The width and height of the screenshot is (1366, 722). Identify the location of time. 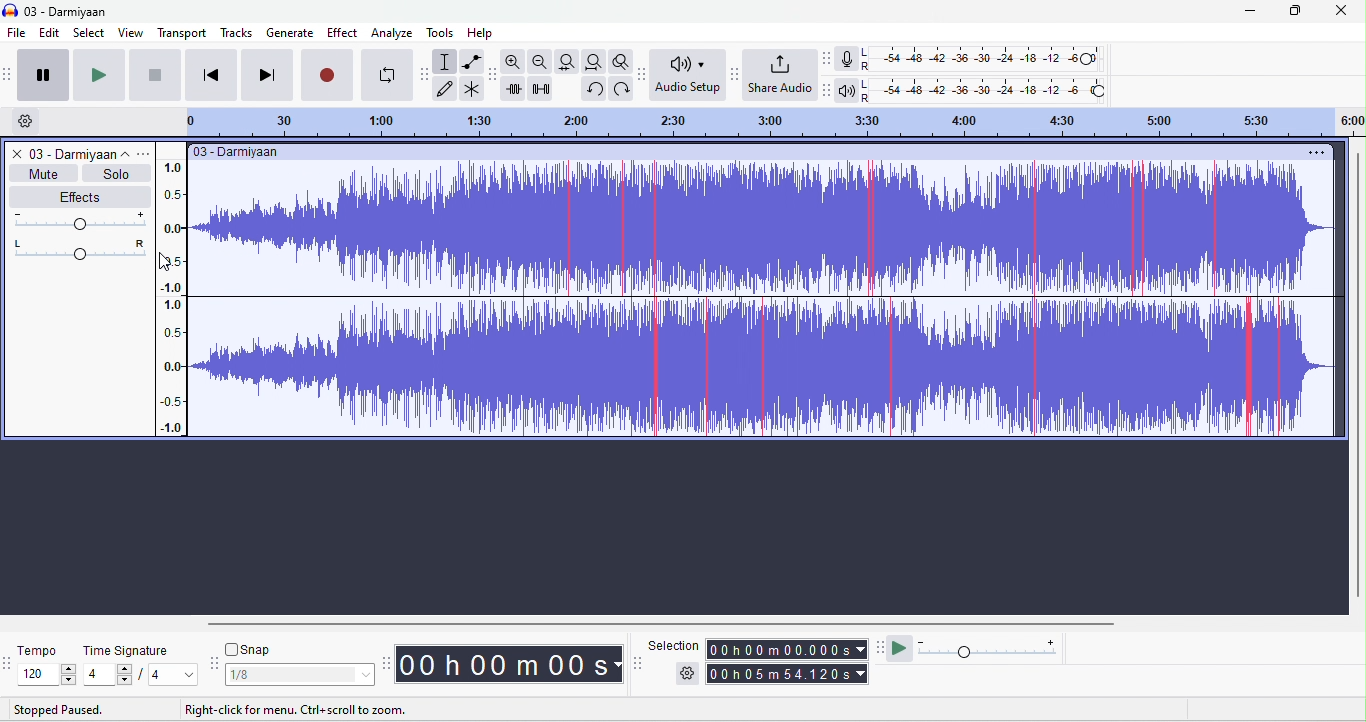
(512, 664).